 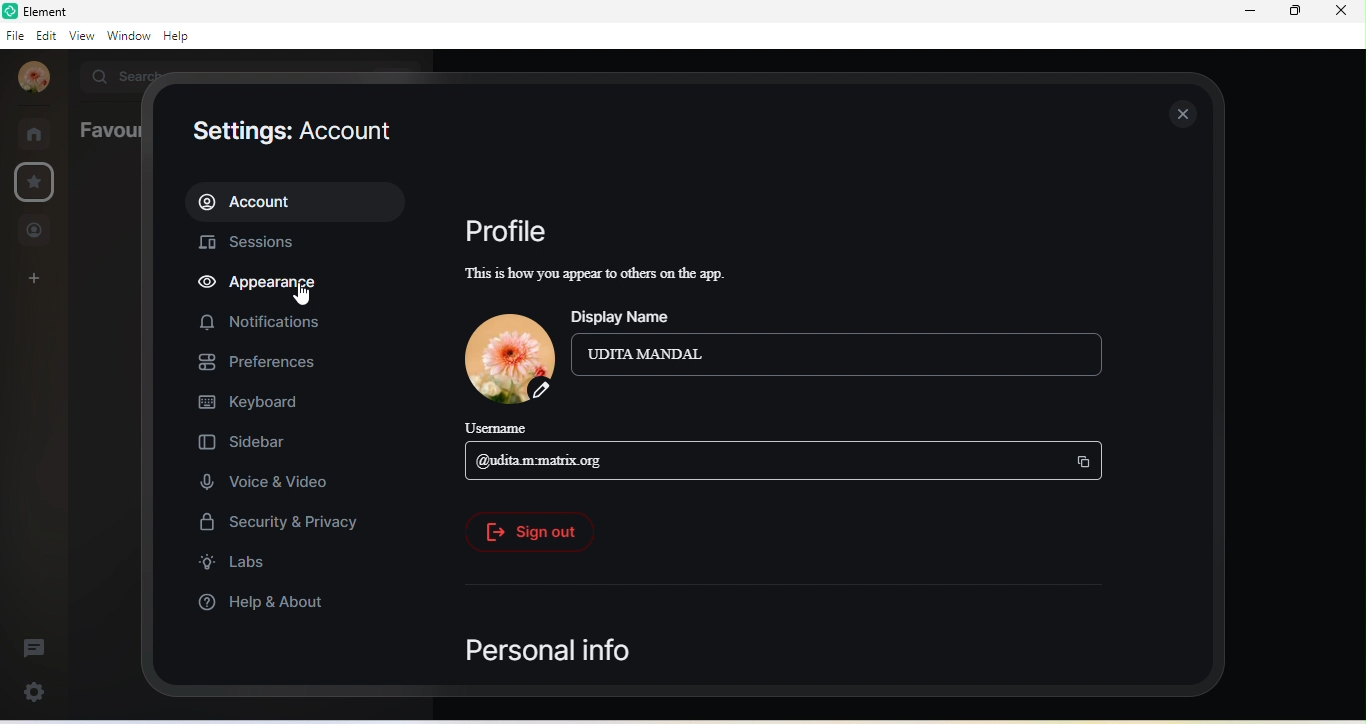 I want to click on account, so click(x=294, y=202).